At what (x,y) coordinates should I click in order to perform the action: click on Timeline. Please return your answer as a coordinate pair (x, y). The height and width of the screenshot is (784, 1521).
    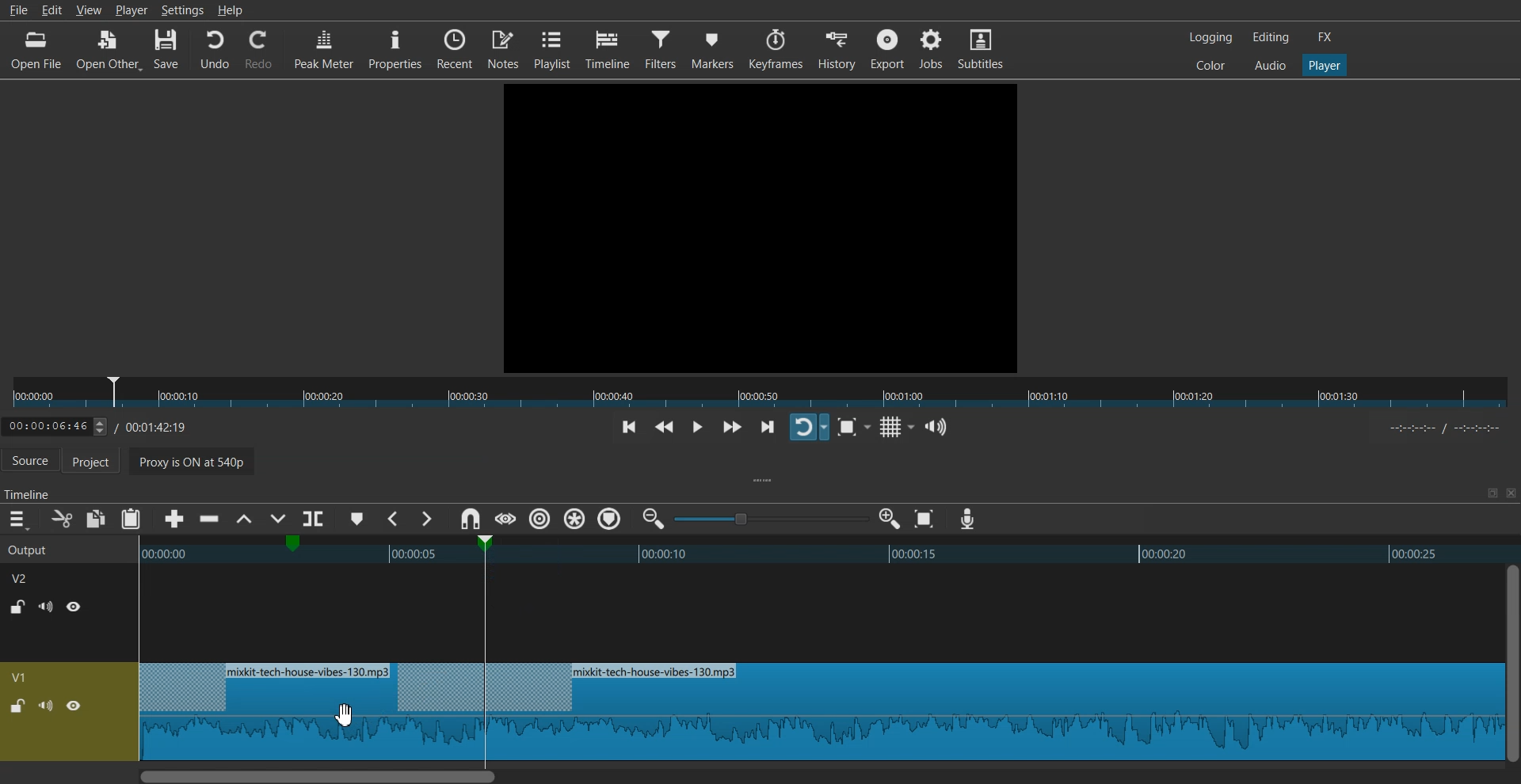
    Looking at the image, I should click on (108, 424).